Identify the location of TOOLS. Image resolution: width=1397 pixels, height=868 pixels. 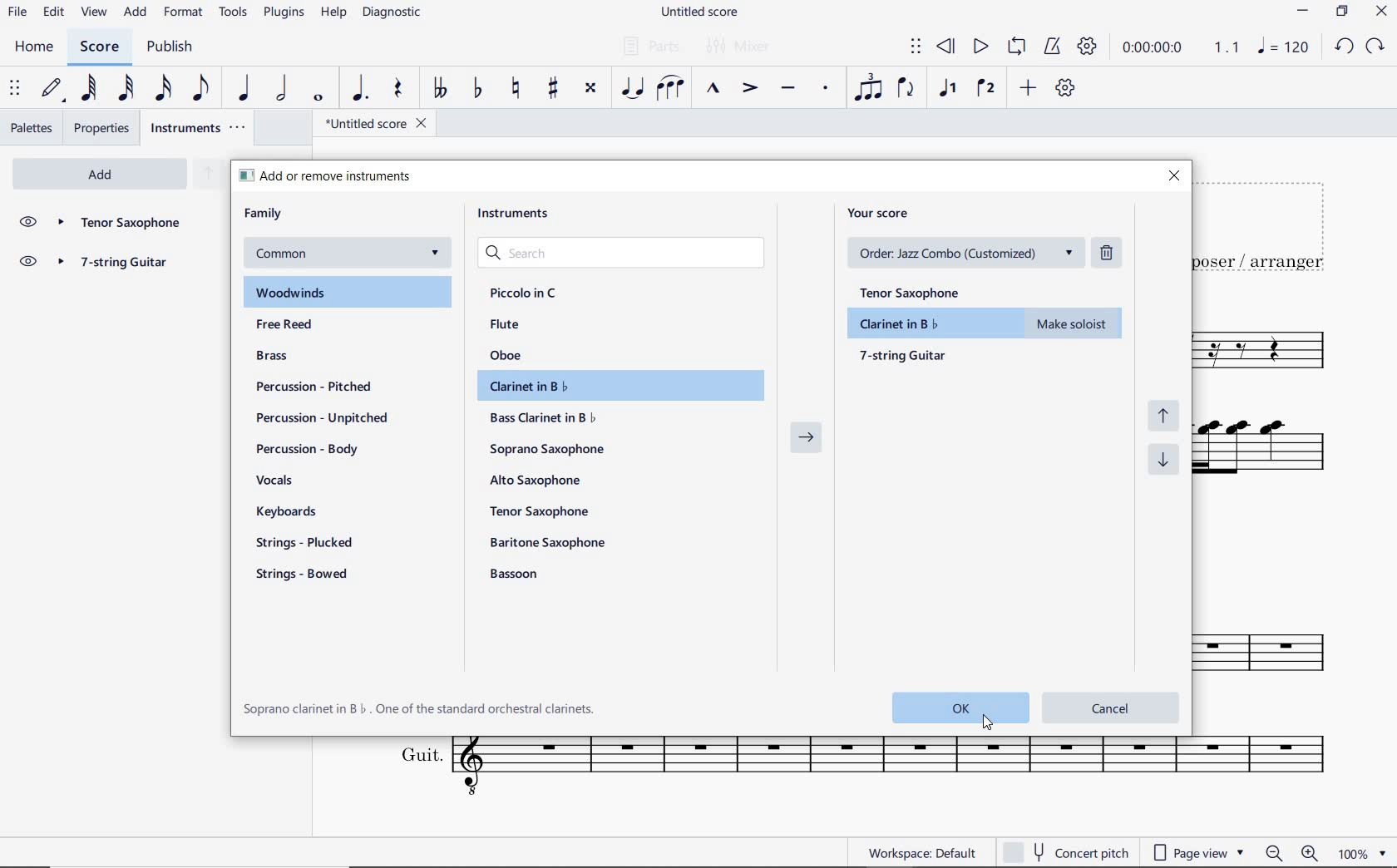
(234, 11).